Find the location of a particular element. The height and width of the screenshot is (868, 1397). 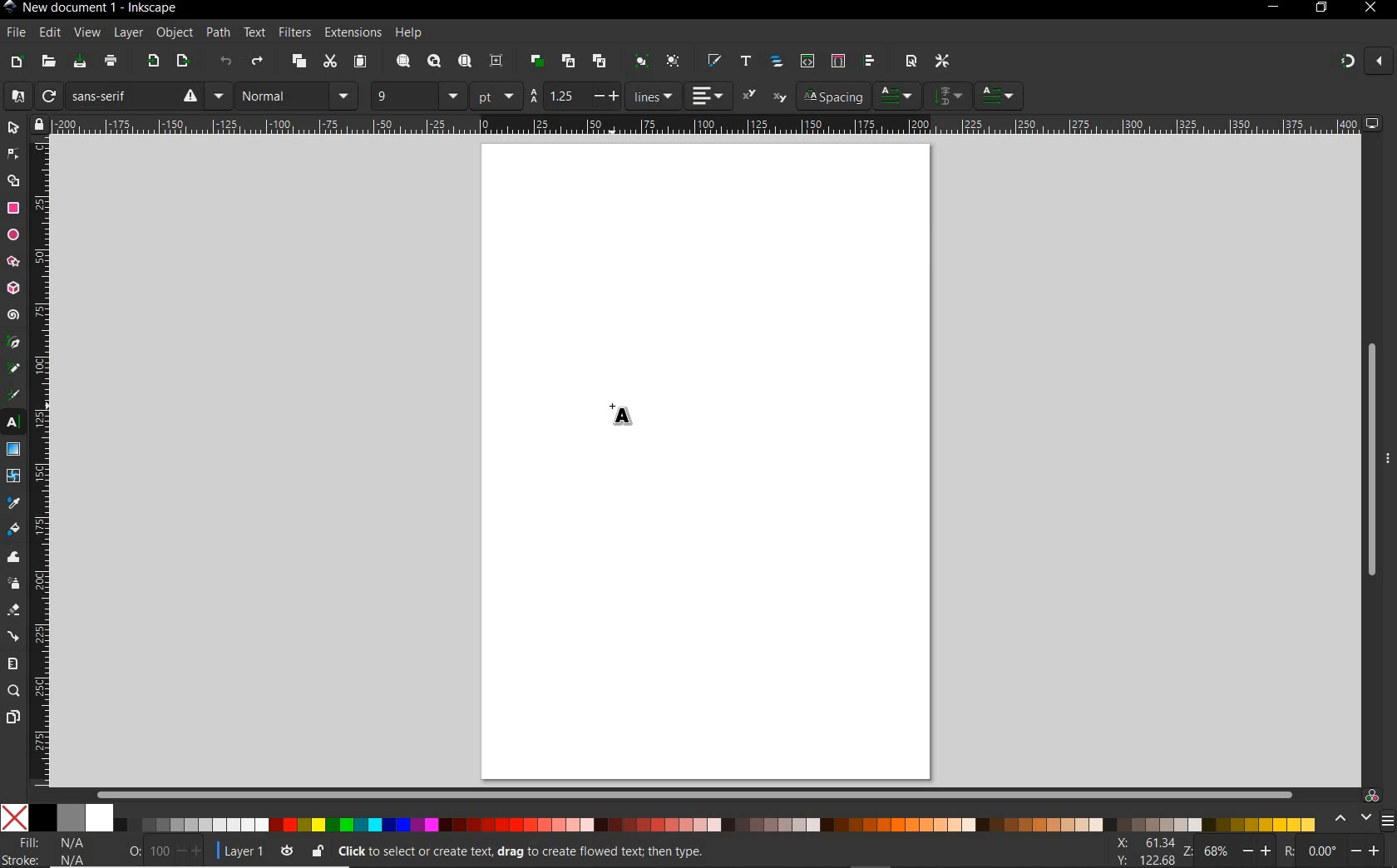

Spacing is located at coordinates (832, 96).